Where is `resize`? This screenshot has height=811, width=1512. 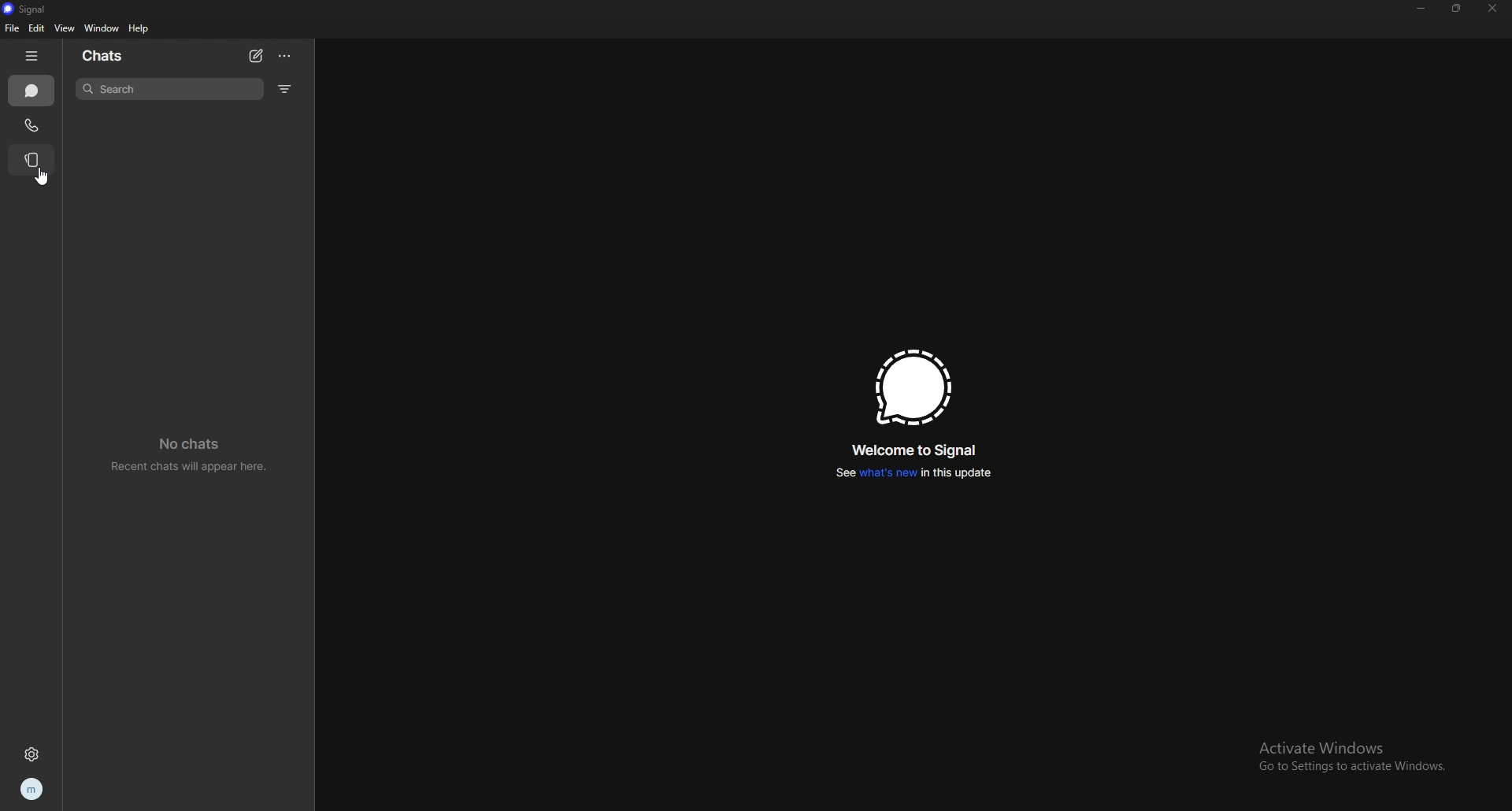 resize is located at coordinates (1456, 9).